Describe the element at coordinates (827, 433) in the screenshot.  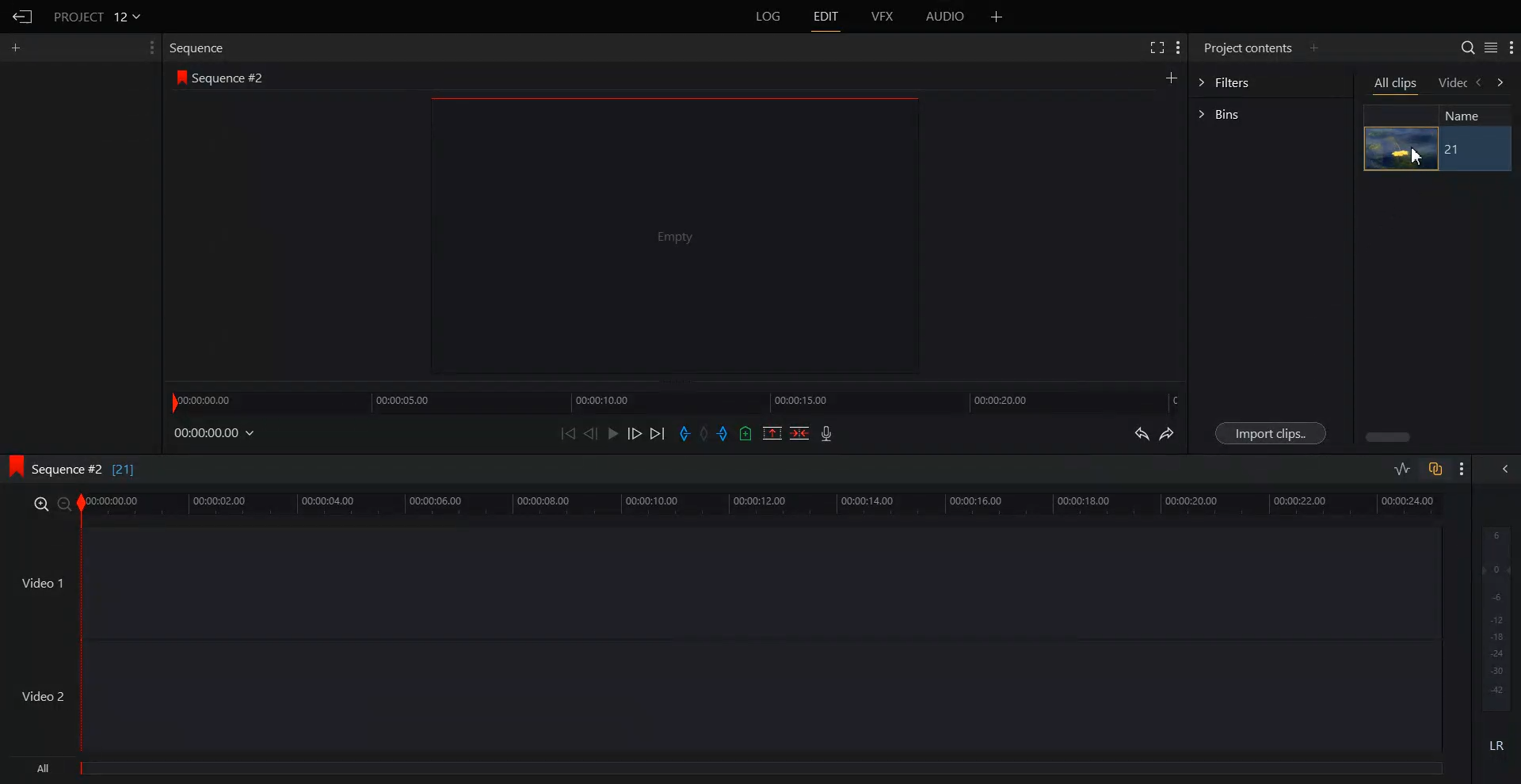
I see `Record Video` at that location.